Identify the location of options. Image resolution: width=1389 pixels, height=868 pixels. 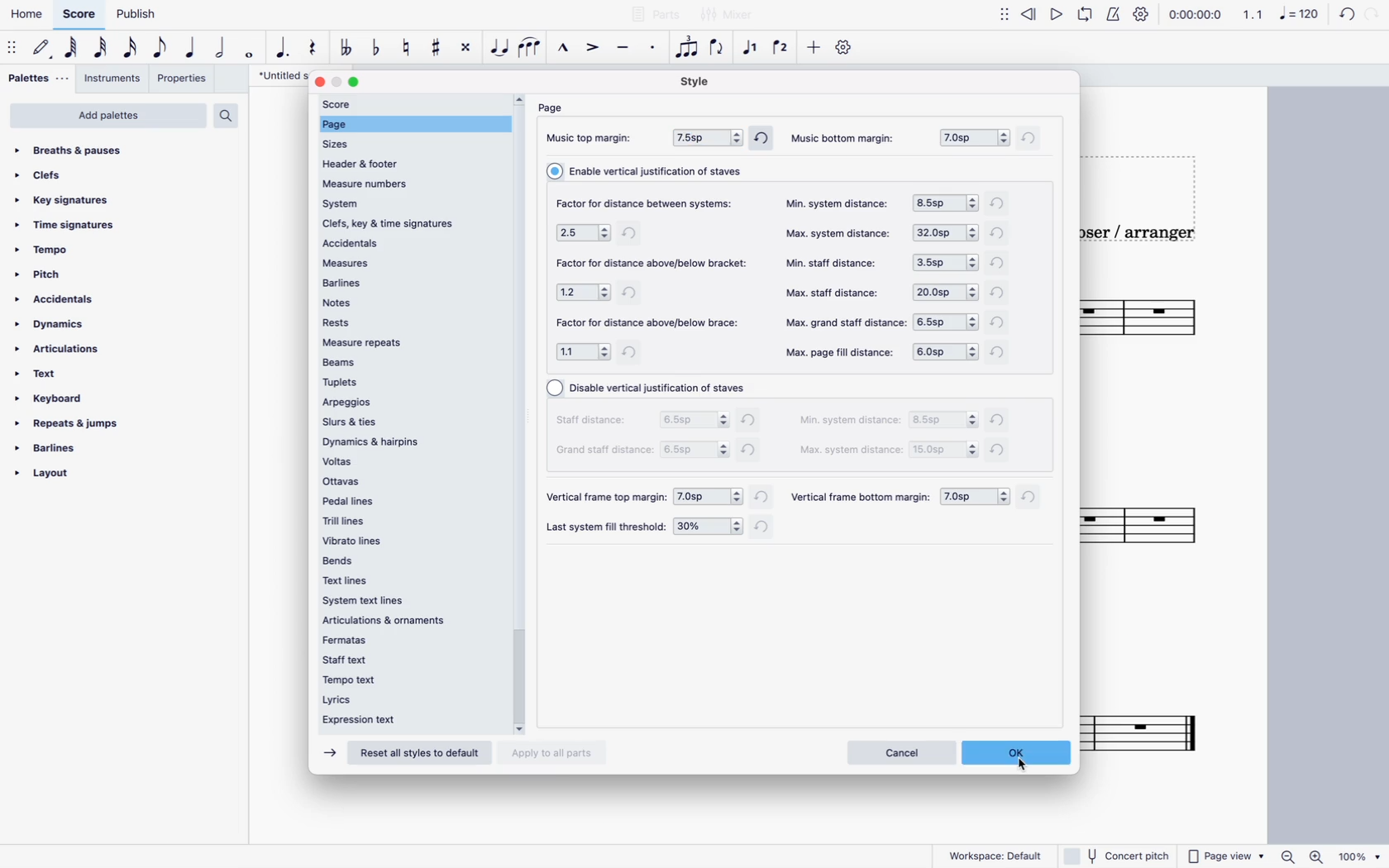
(946, 203).